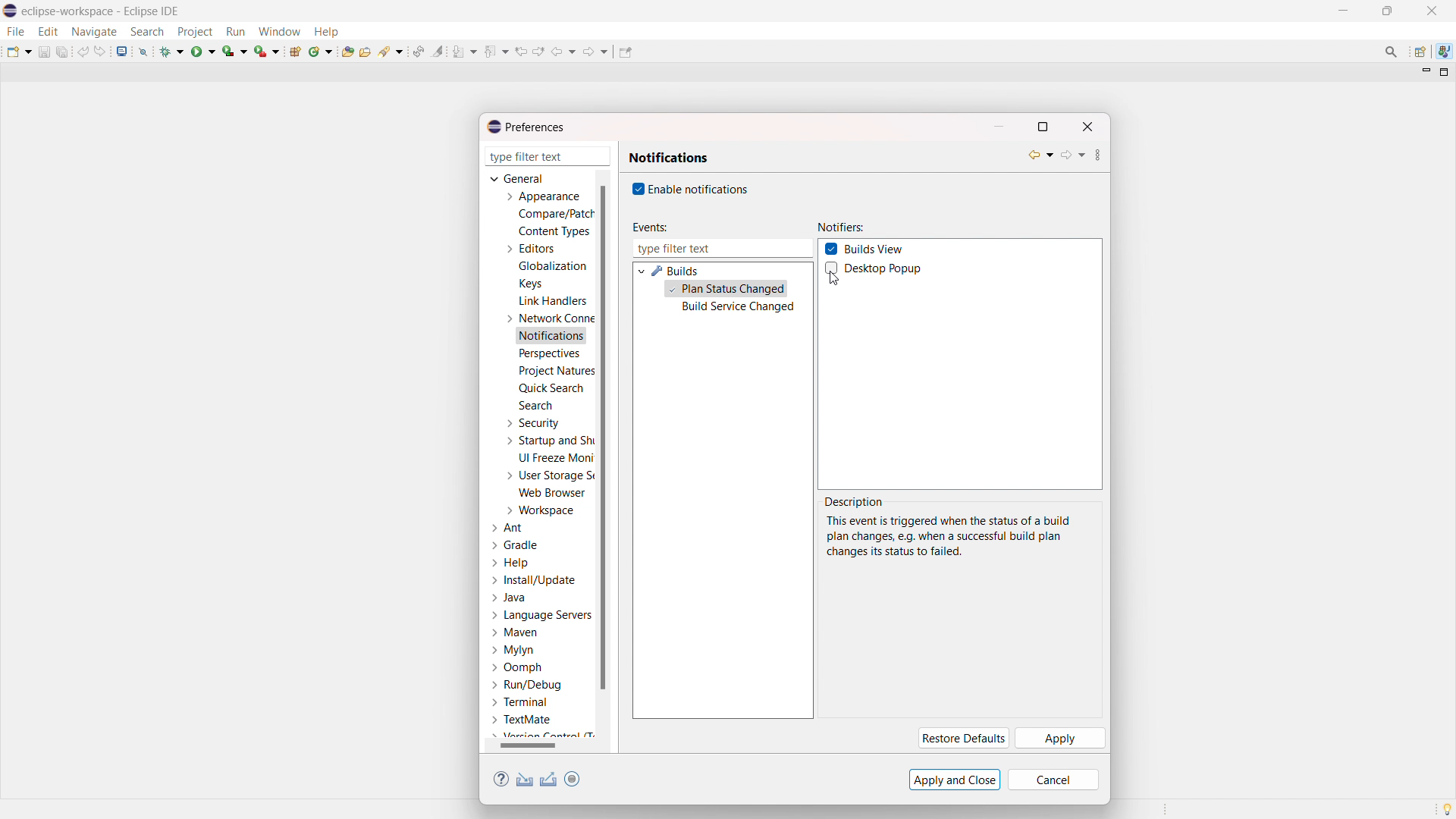 The height and width of the screenshot is (819, 1456). I want to click on run/debug, so click(526, 684).